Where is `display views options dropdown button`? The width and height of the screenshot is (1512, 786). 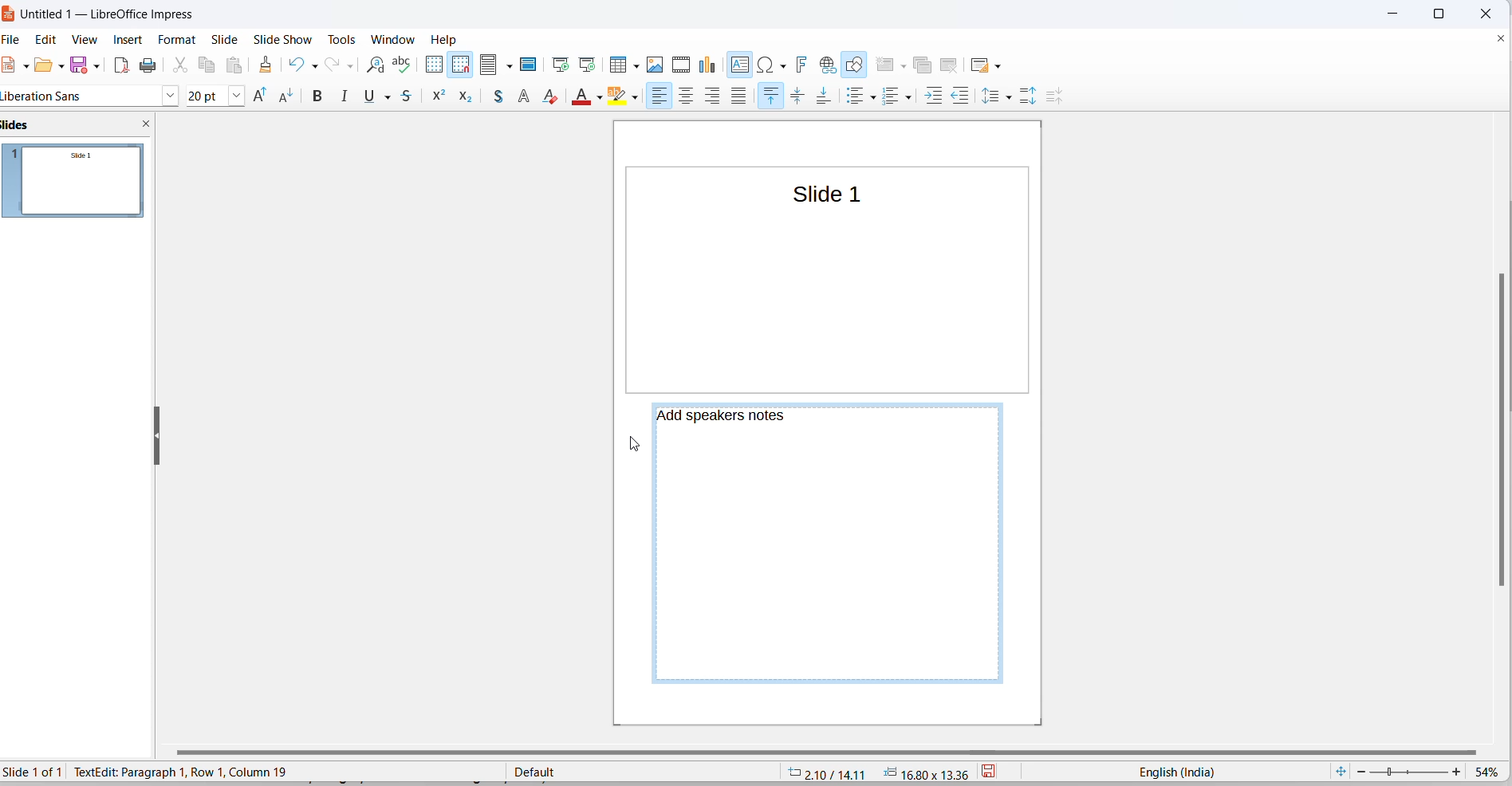 display views options dropdown button is located at coordinates (512, 65).